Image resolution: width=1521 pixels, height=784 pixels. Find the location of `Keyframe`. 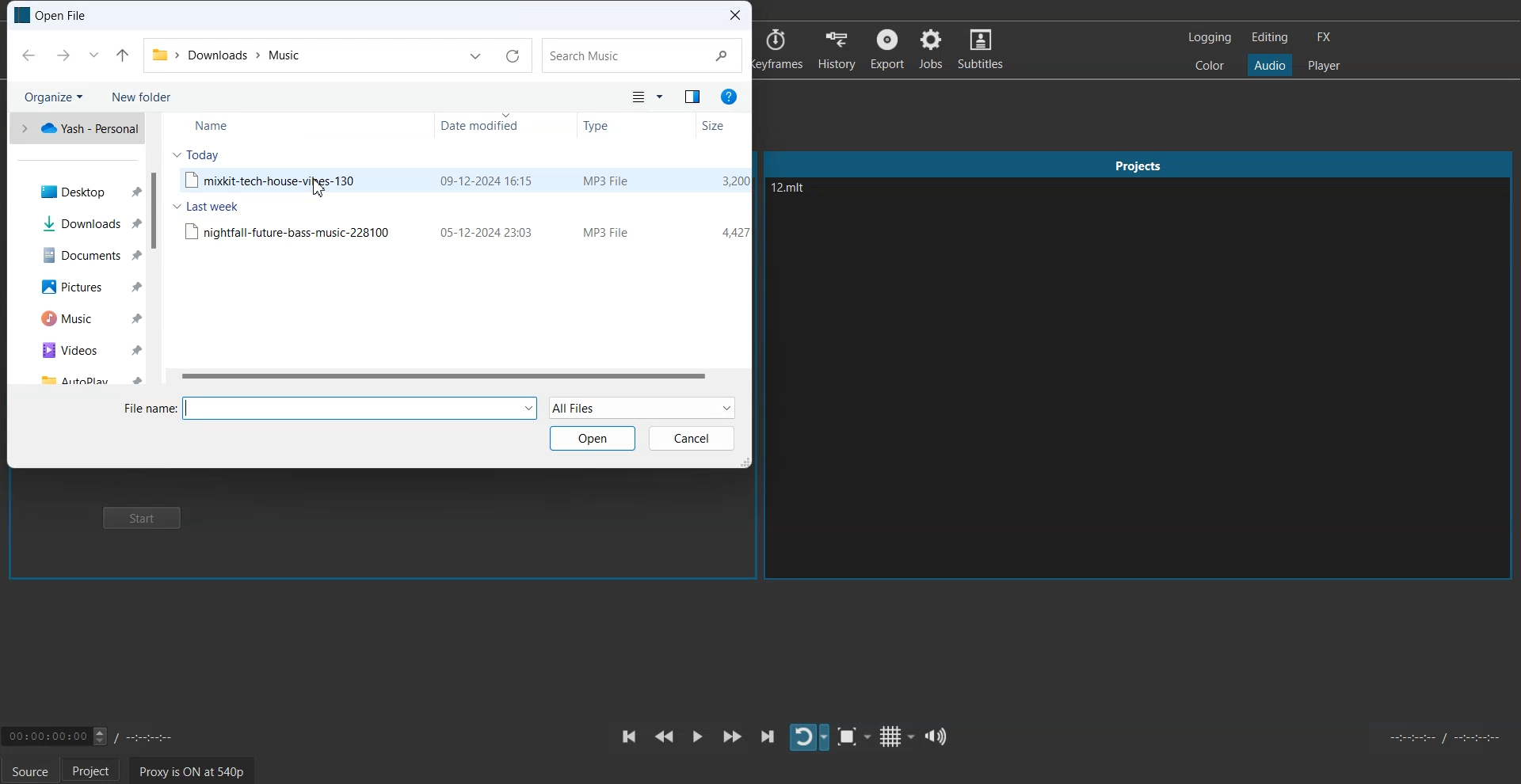

Keyframe is located at coordinates (779, 49).